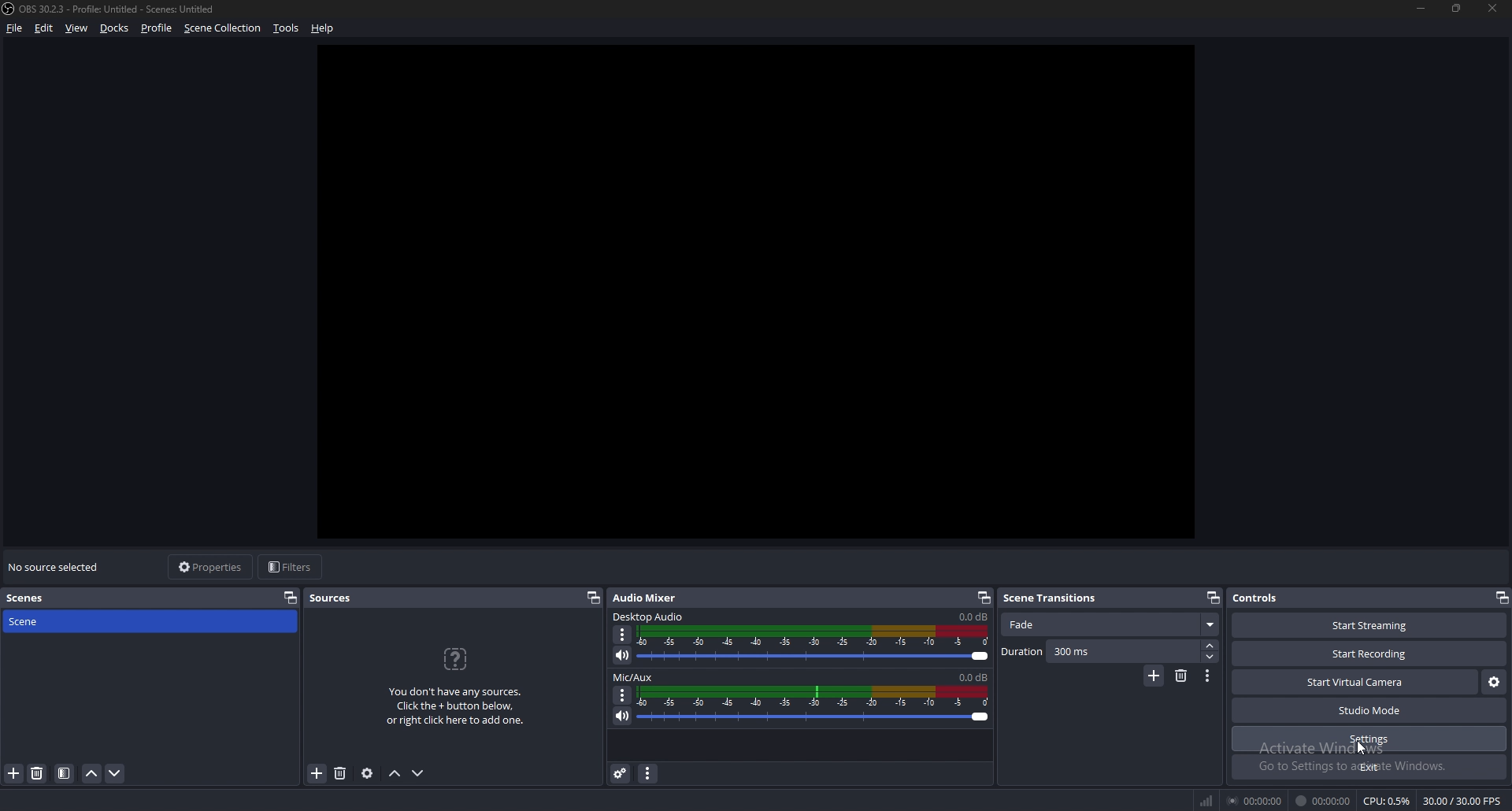 Image resolution: width=1512 pixels, height=811 pixels. What do you see at coordinates (115, 774) in the screenshot?
I see `move scene down` at bounding box center [115, 774].